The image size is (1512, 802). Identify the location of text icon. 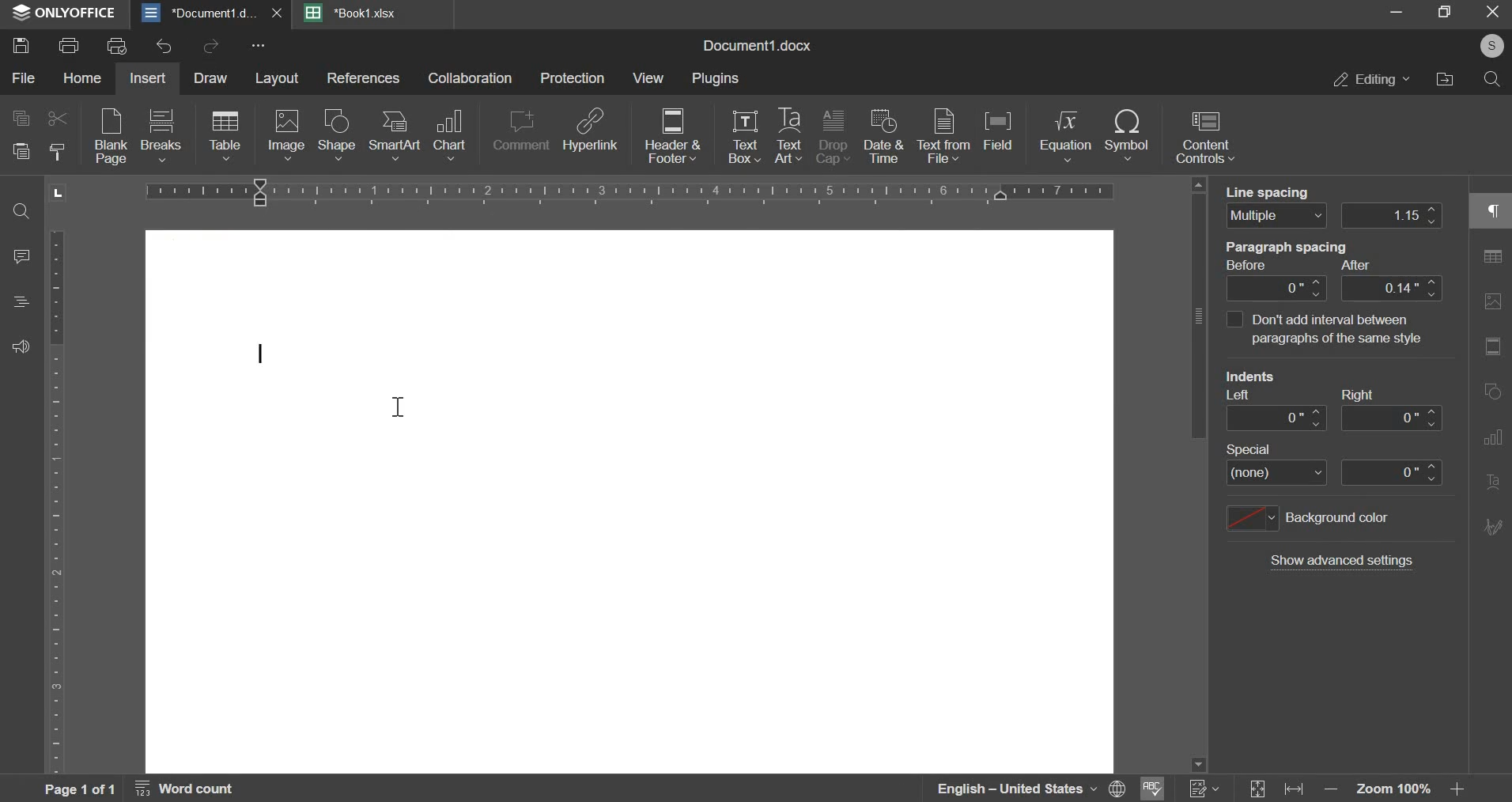
(266, 354).